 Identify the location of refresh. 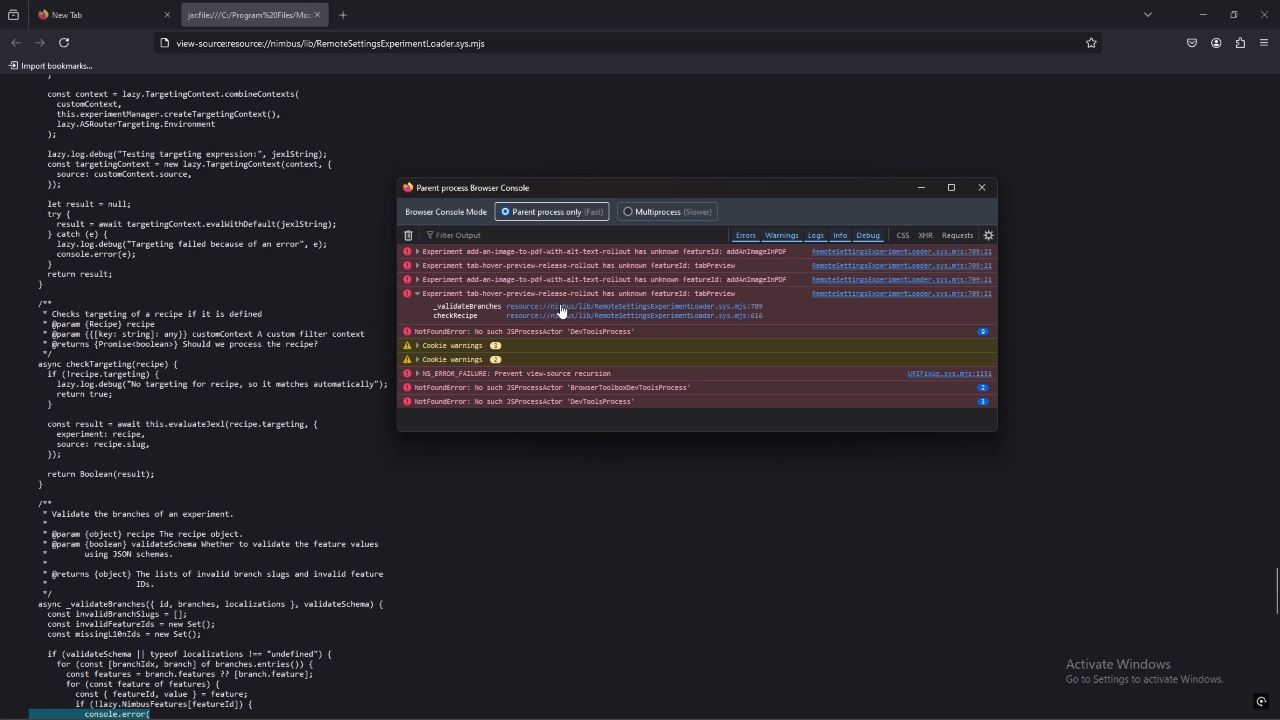
(66, 43).